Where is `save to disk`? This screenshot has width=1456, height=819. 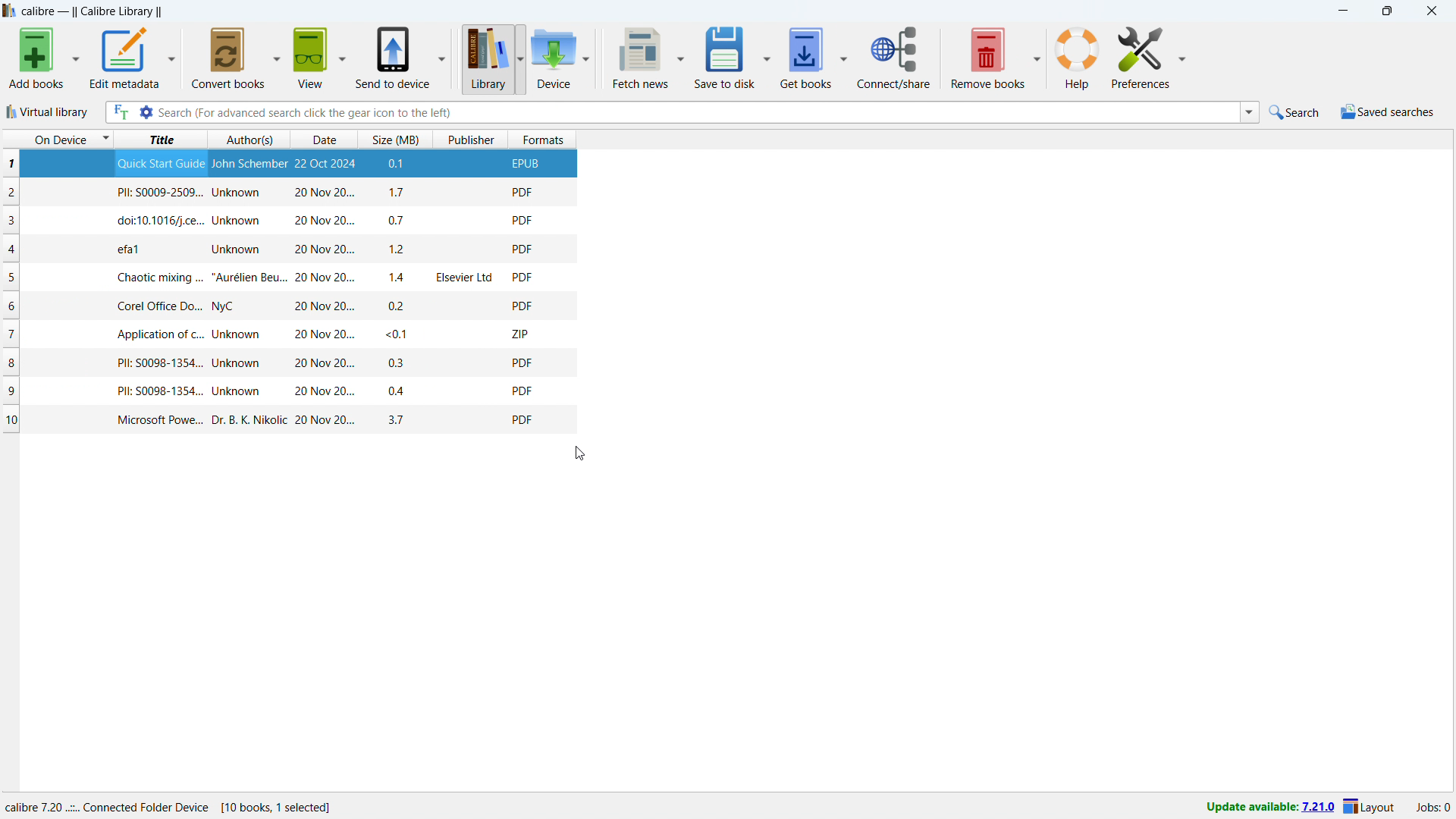 save to disk is located at coordinates (726, 57).